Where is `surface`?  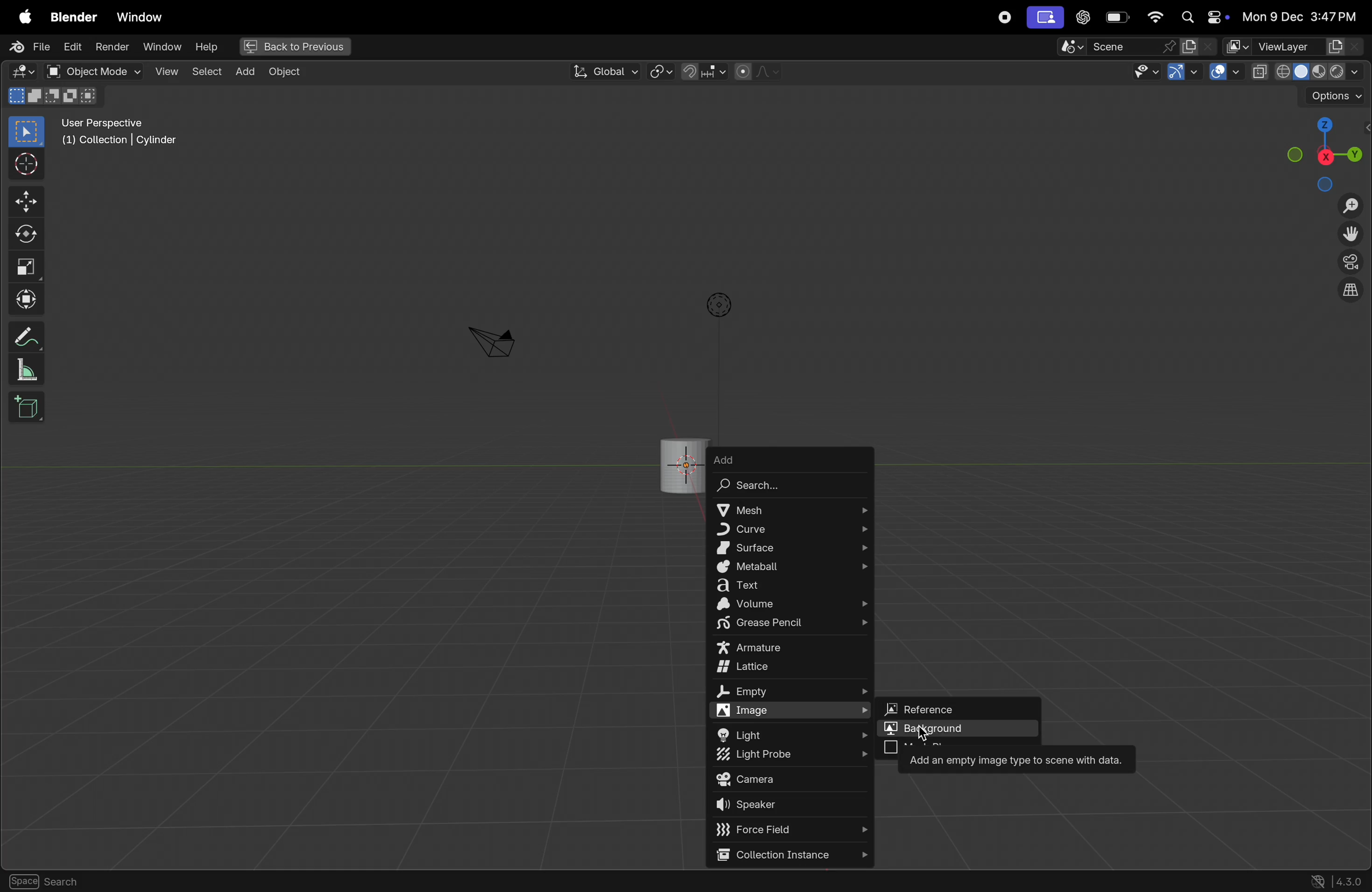
surface is located at coordinates (793, 548).